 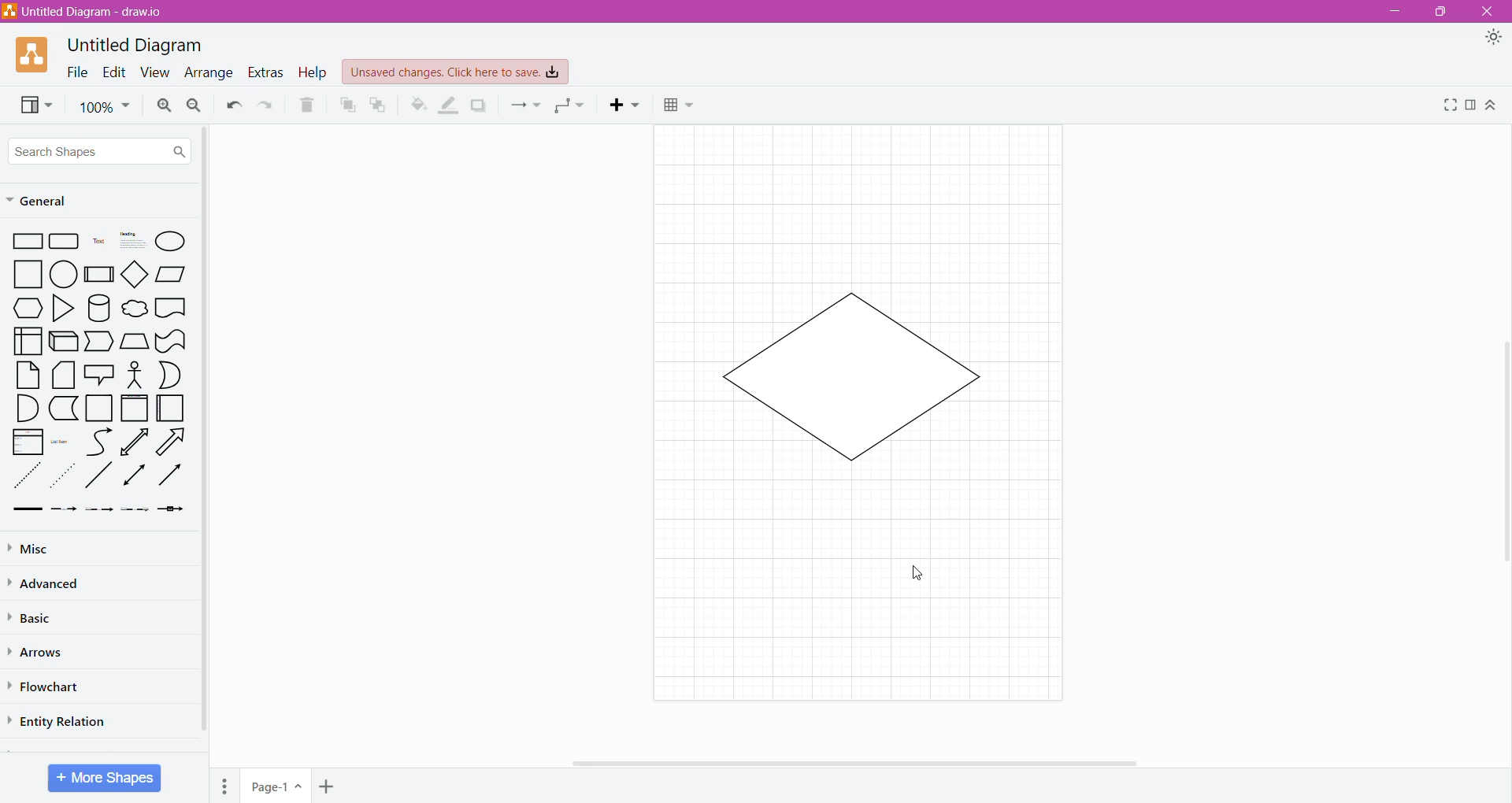 I want to click on Zoom, so click(x=105, y=108).